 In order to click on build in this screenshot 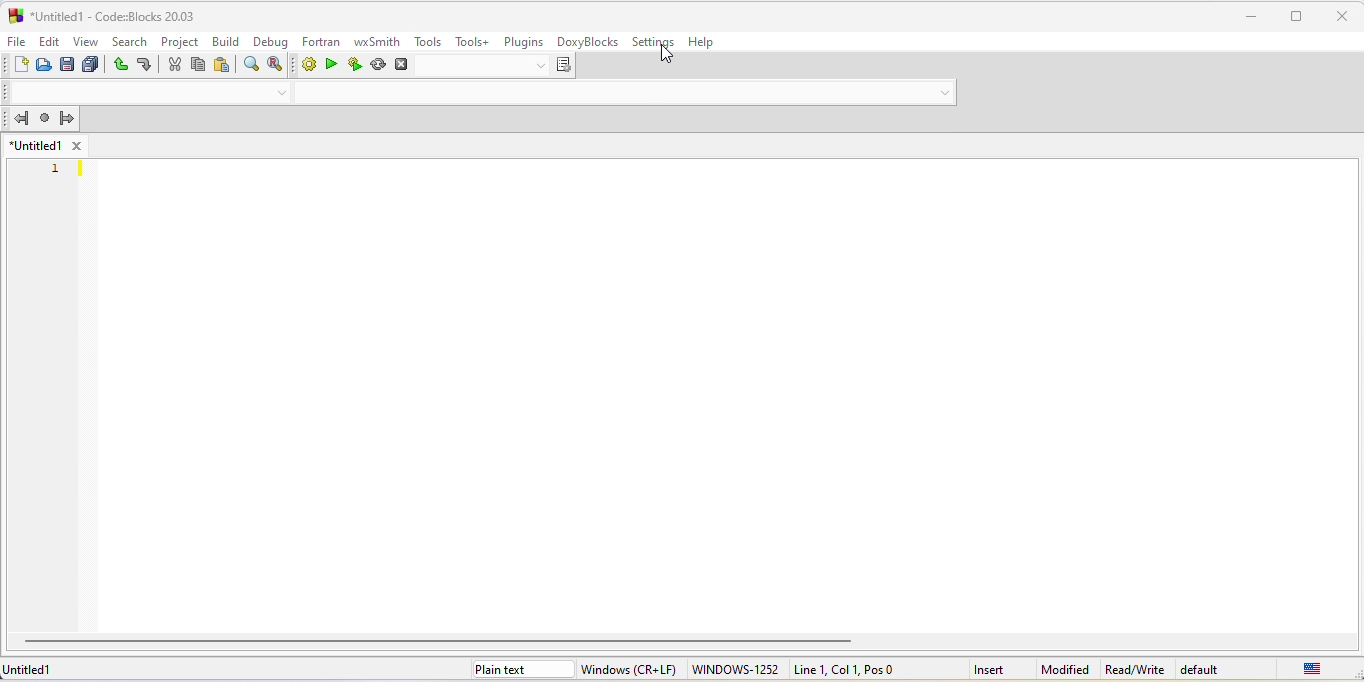, I will do `click(226, 42)`.